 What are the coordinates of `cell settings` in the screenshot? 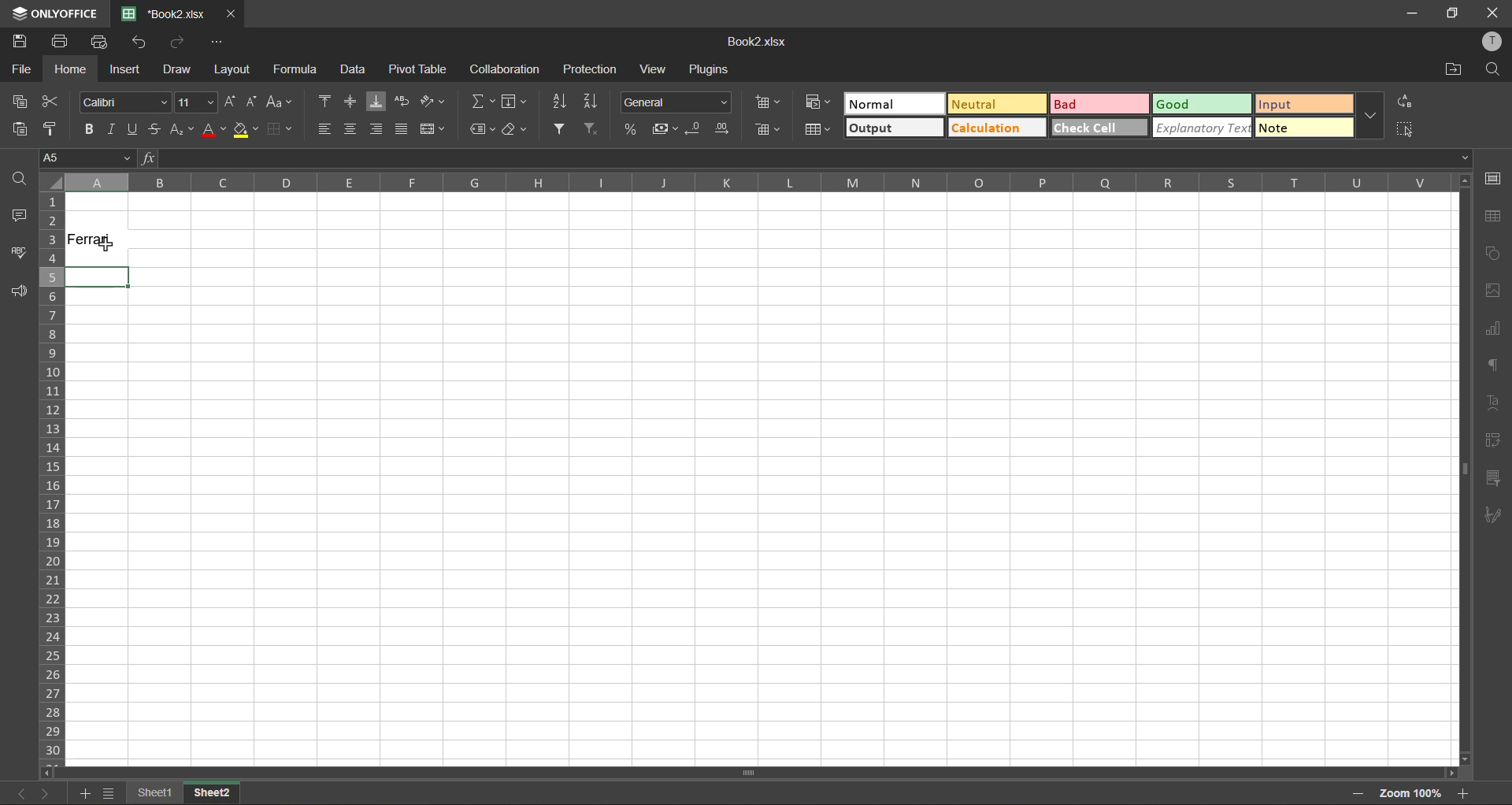 It's located at (1492, 178).